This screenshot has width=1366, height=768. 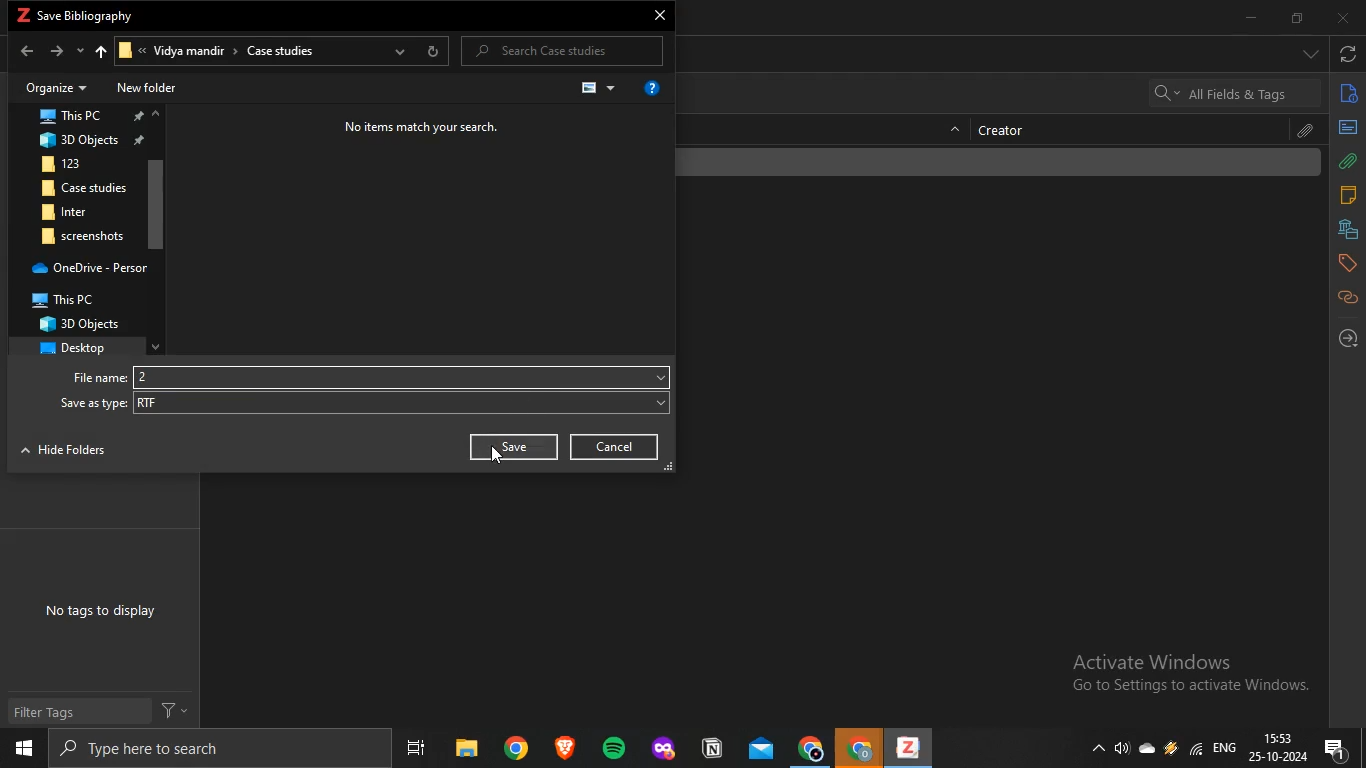 What do you see at coordinates (609, 746) in the screenshot?
I see `spotify` at bounding box center [609, 746].